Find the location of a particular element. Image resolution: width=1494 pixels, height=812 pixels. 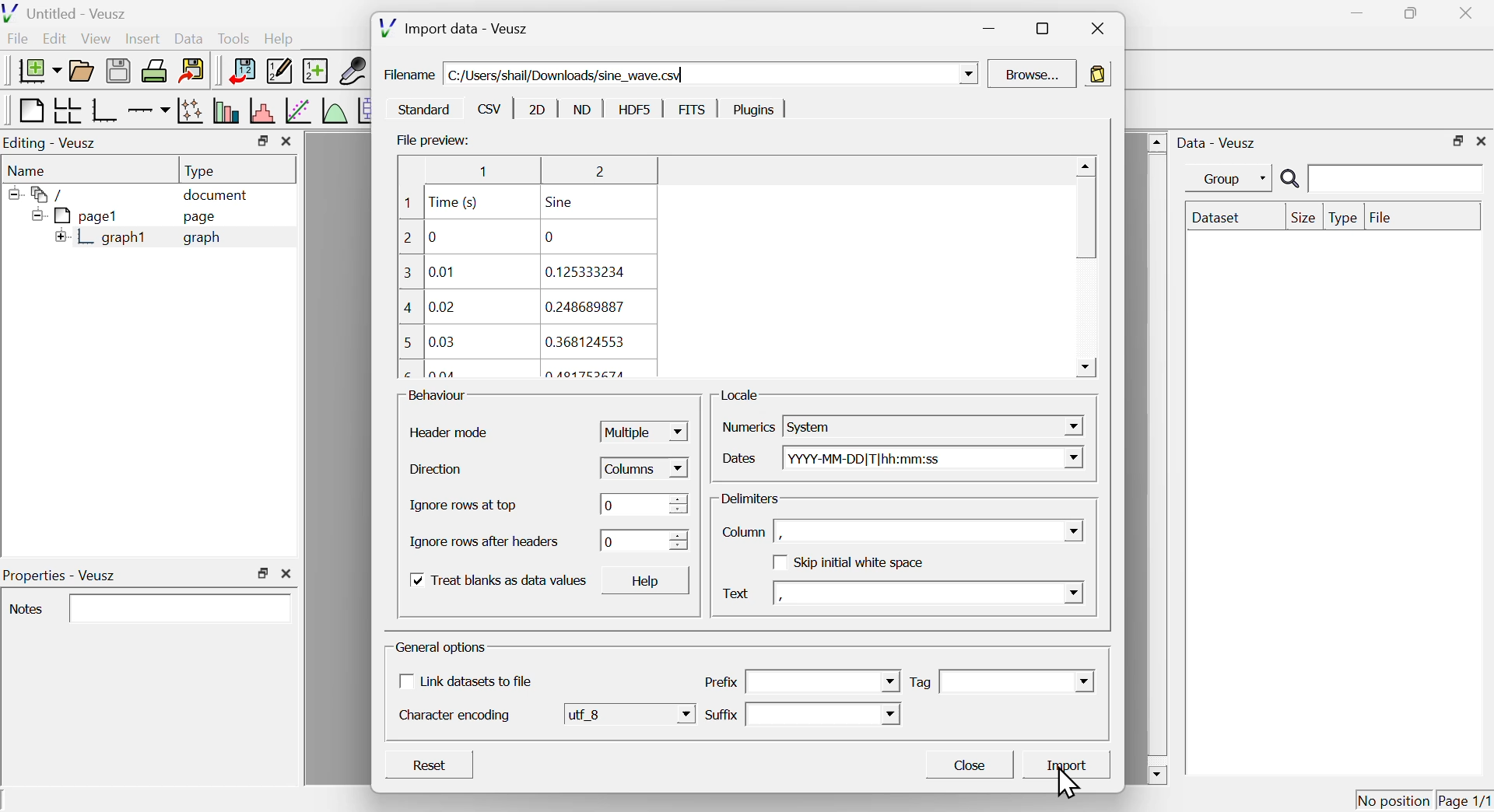

Locale is located at coordinates (742, 395).